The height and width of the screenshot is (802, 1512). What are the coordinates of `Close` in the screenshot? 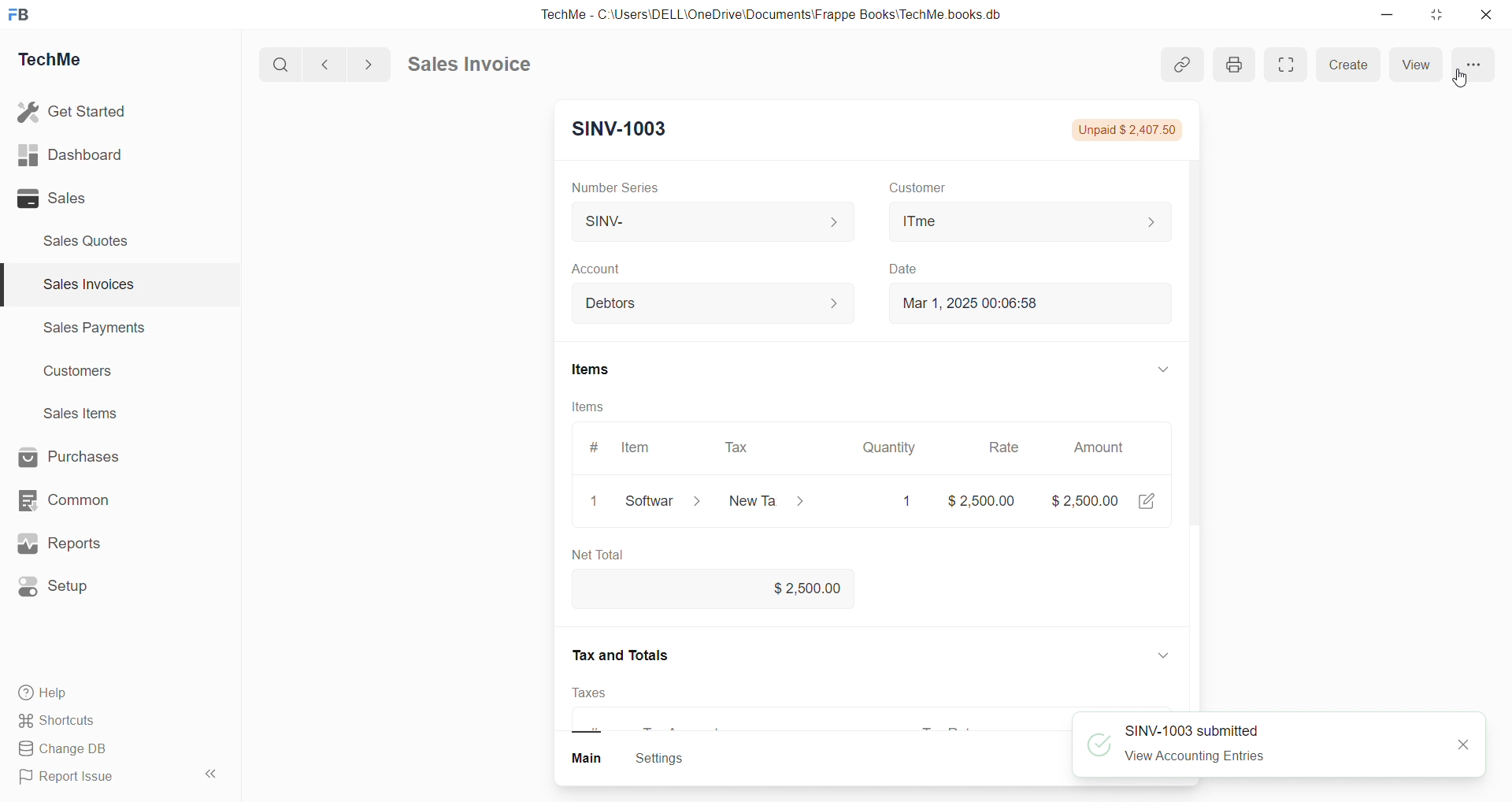 It's located at (1490, 18).